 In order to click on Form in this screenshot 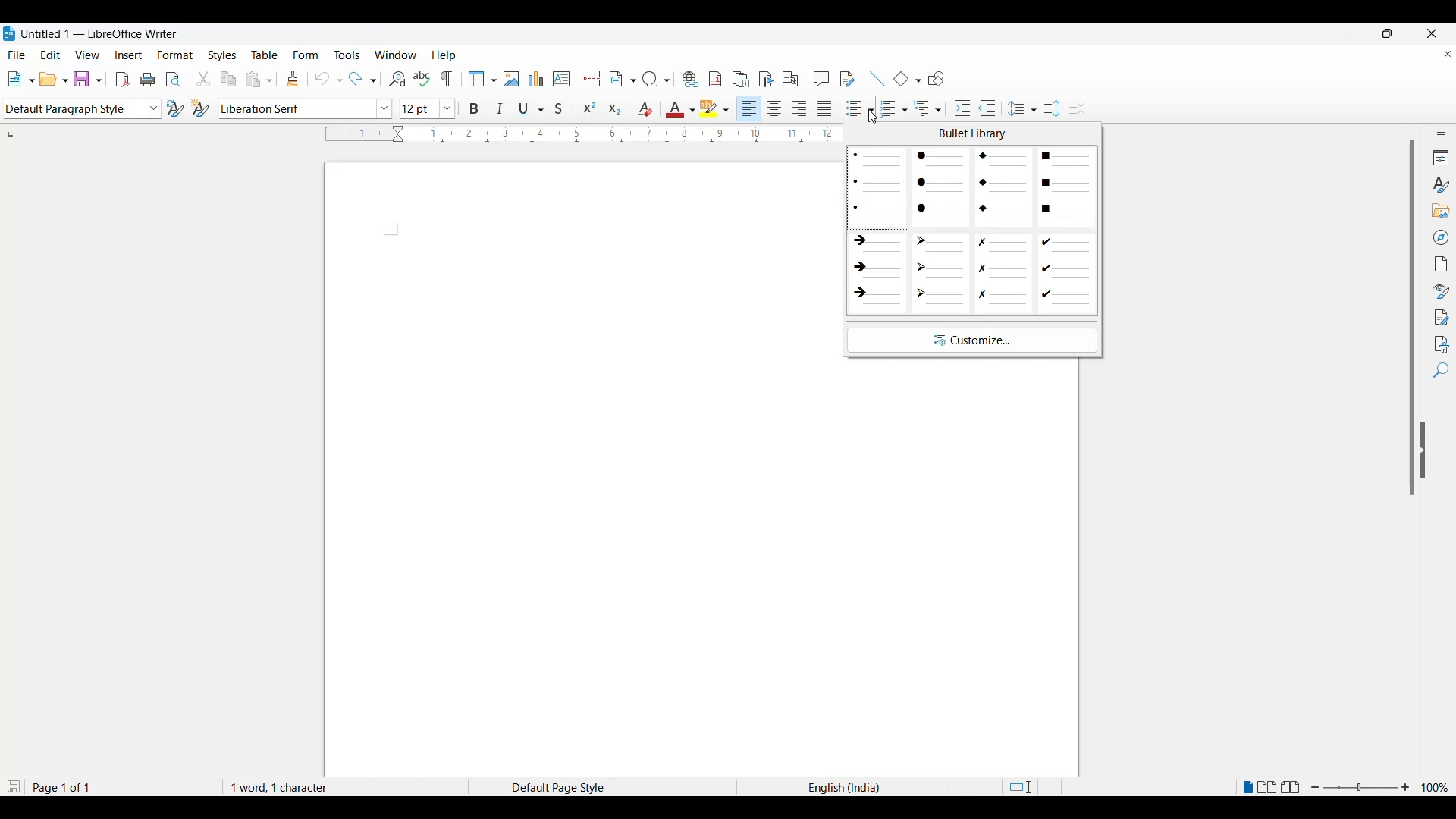, I will do `click(306, 54)`.